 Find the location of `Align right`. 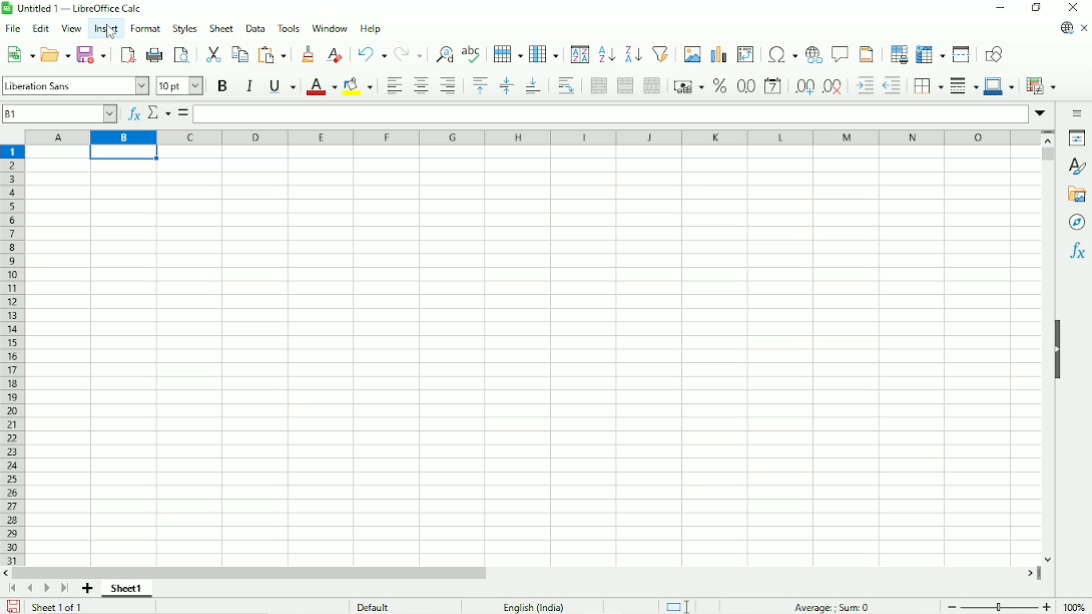

Align right is located at coordinates (449, 87).